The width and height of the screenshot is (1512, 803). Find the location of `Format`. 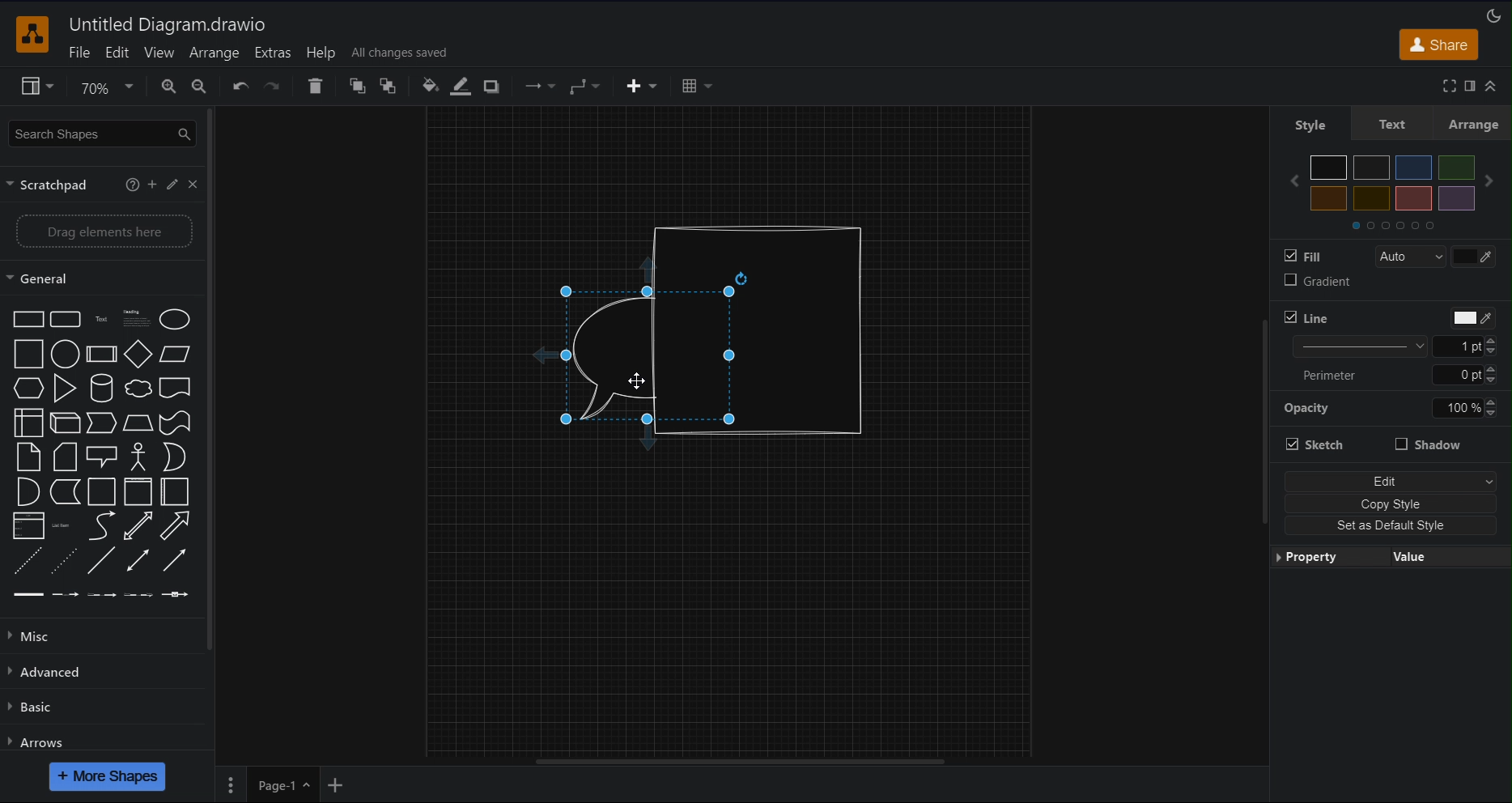

Format is located at coordinates (1471, 86).